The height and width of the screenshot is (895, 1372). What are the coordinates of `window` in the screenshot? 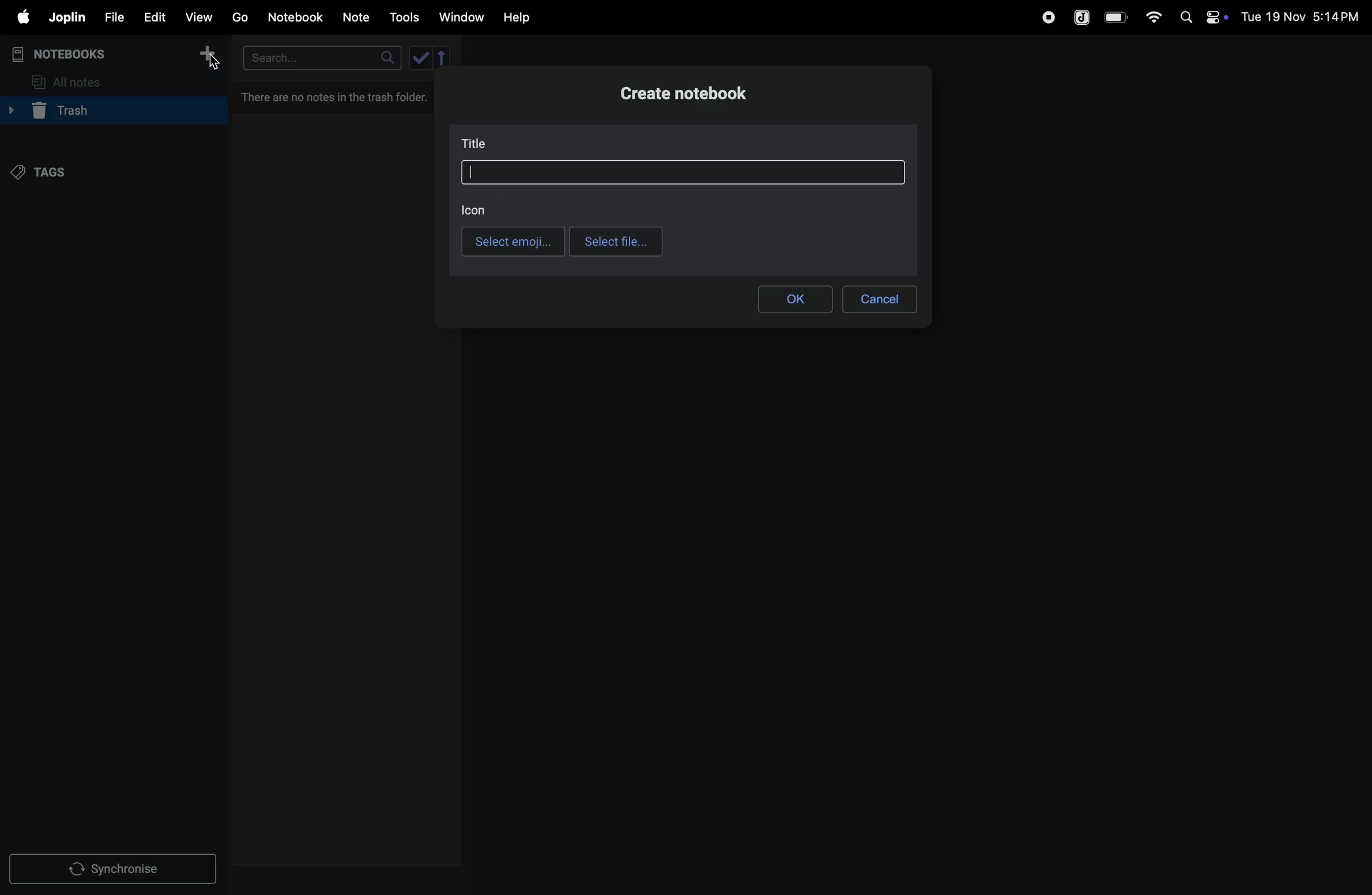 It's located at (460, 18).